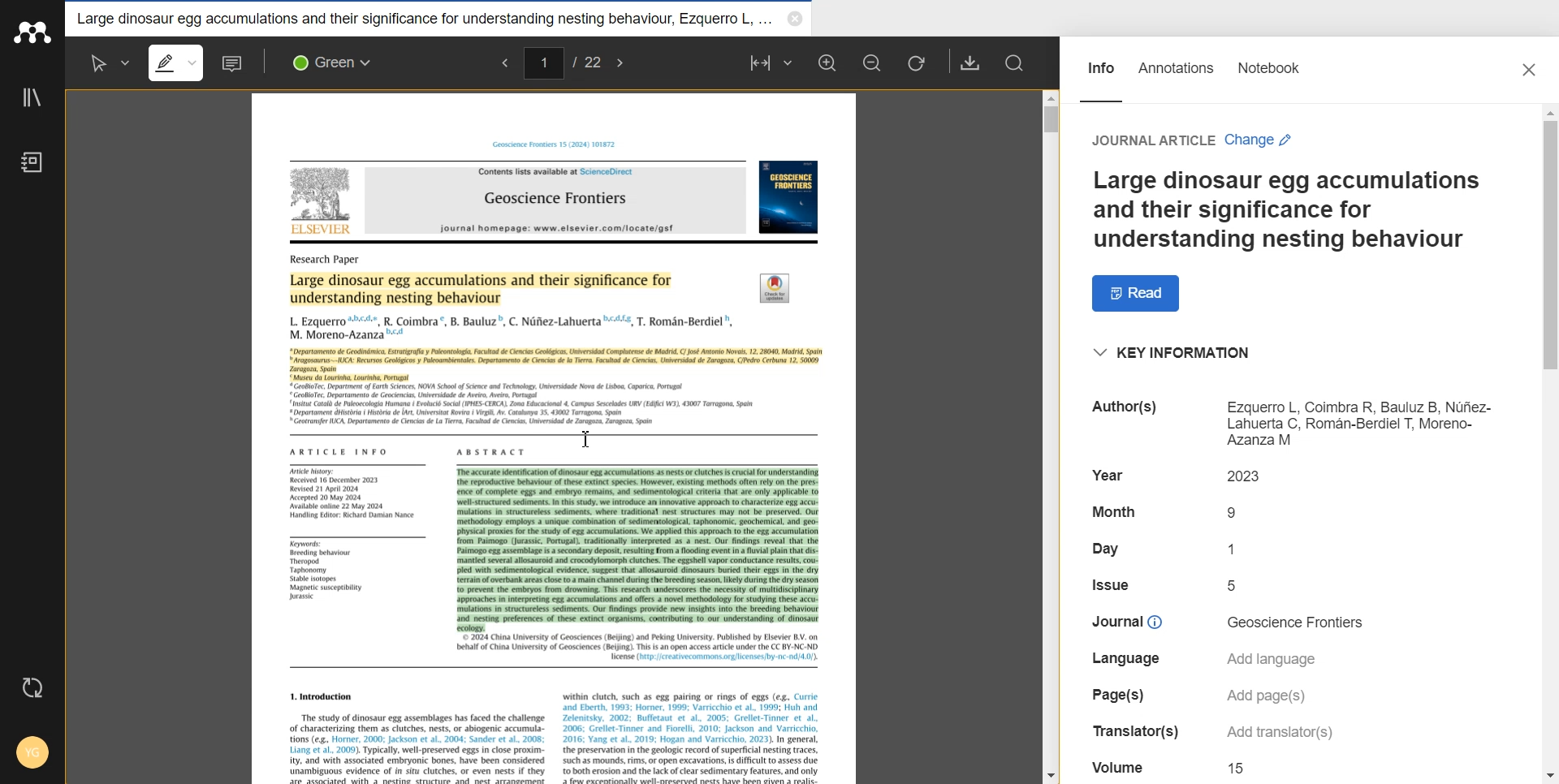 Image resolution: width=1559 pixels, height=784 pixels. Describe the element at coordinates (1362, 423) in the screenshot. I see `text` at that location.